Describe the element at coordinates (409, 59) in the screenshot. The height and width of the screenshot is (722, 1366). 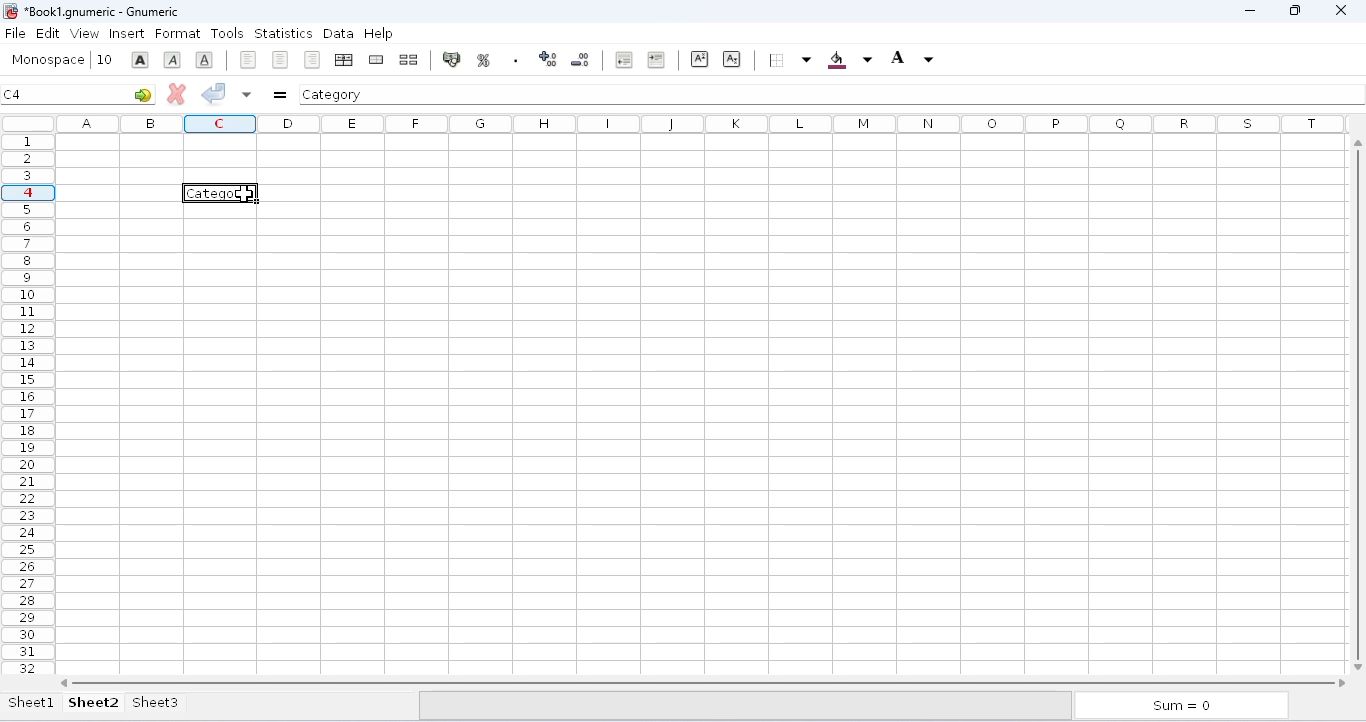
I see `split merged range of cells` at that location.